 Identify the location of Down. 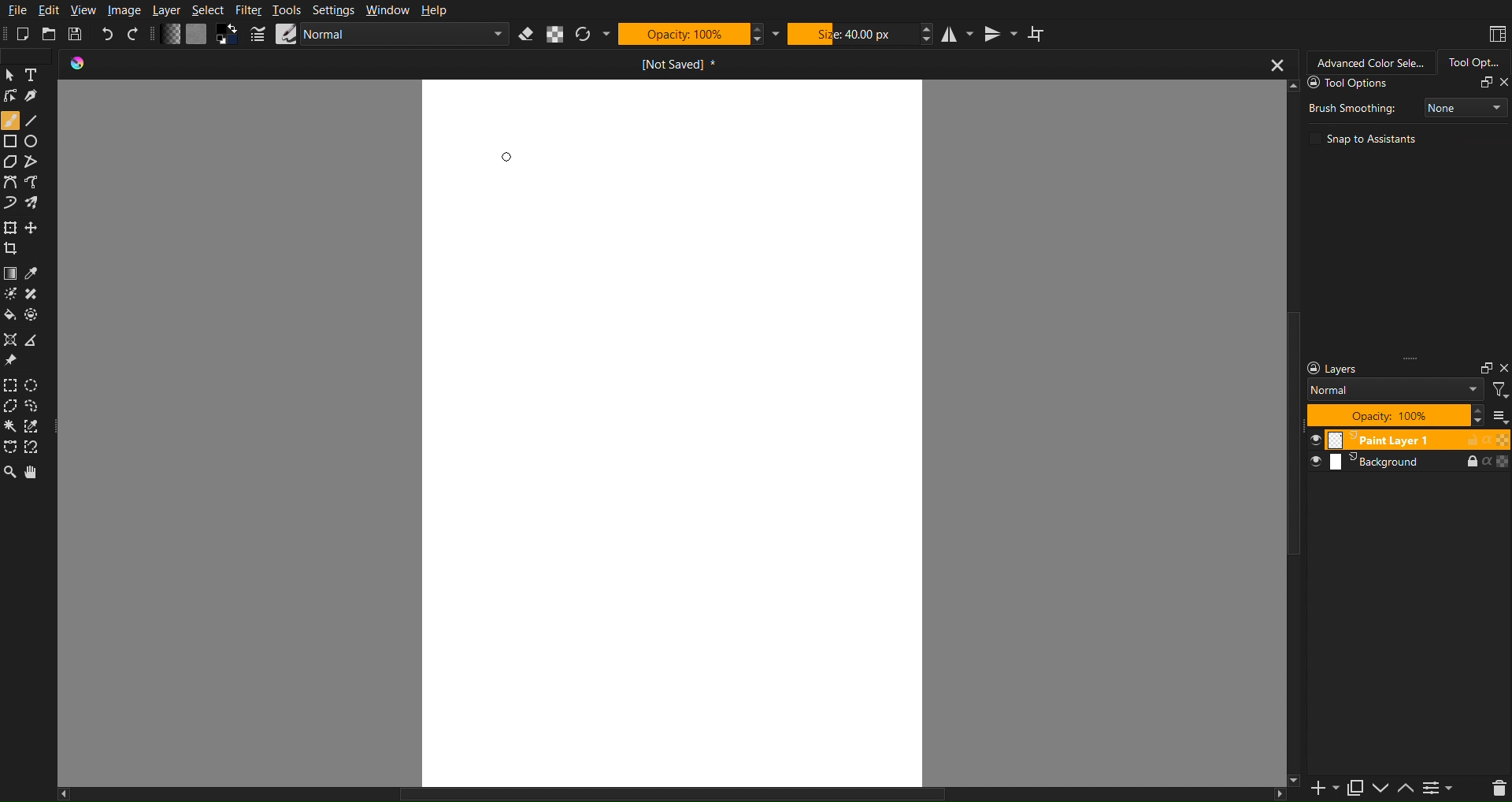
(1384, 789).